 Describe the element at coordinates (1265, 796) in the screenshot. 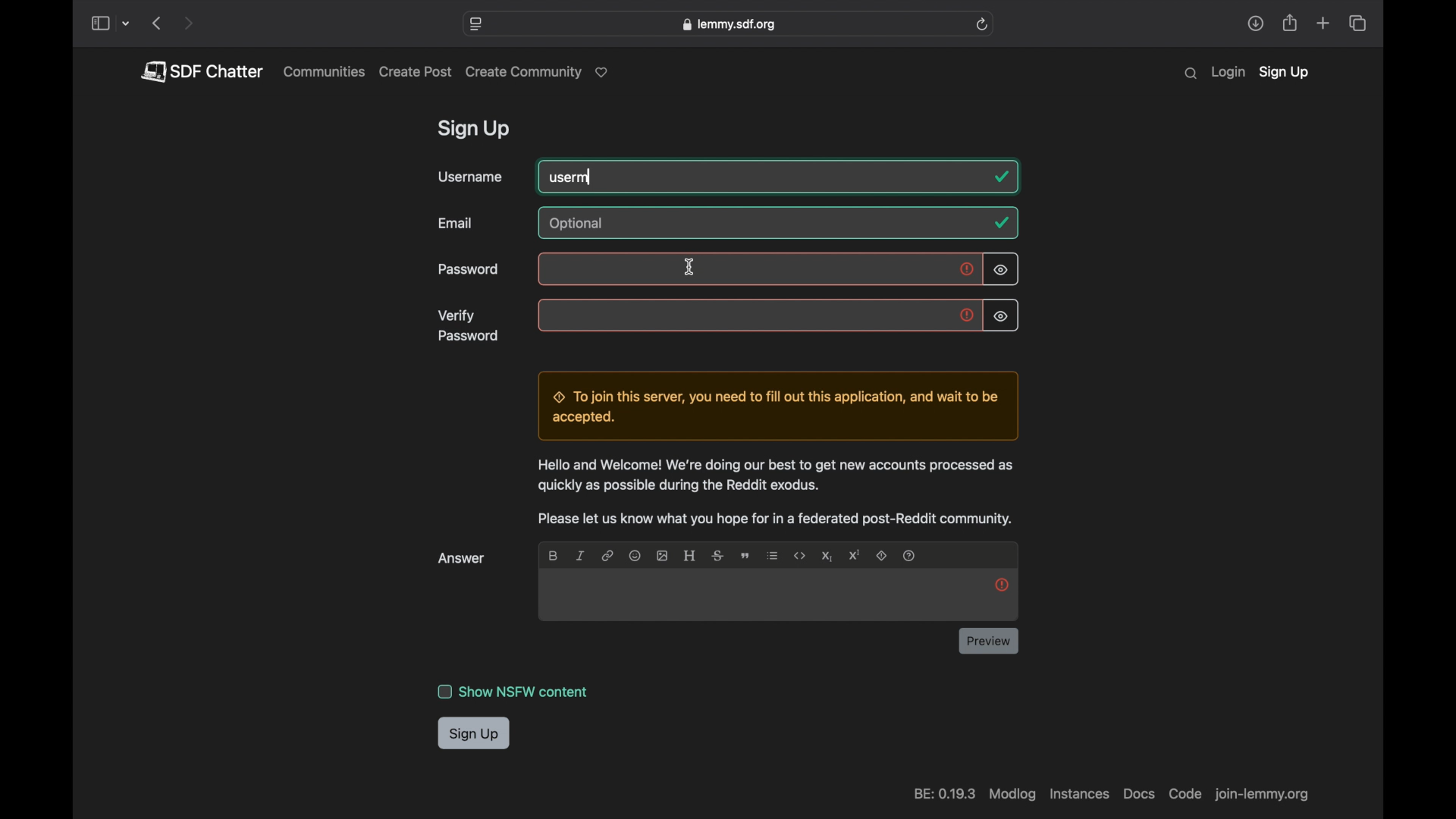

I see `web address` at that location.